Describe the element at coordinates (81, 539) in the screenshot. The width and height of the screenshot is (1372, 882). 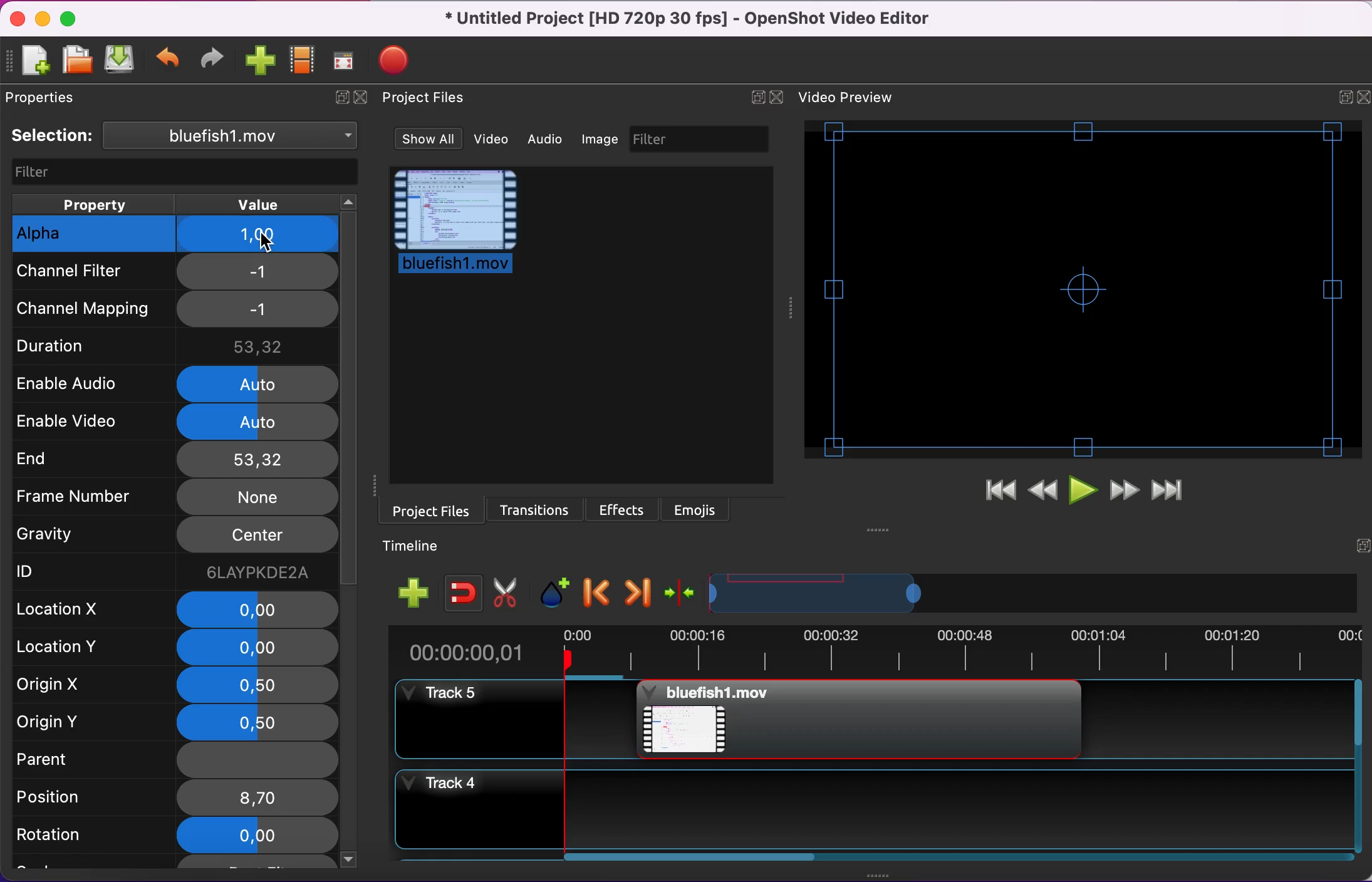
I see `gravity` at that location.